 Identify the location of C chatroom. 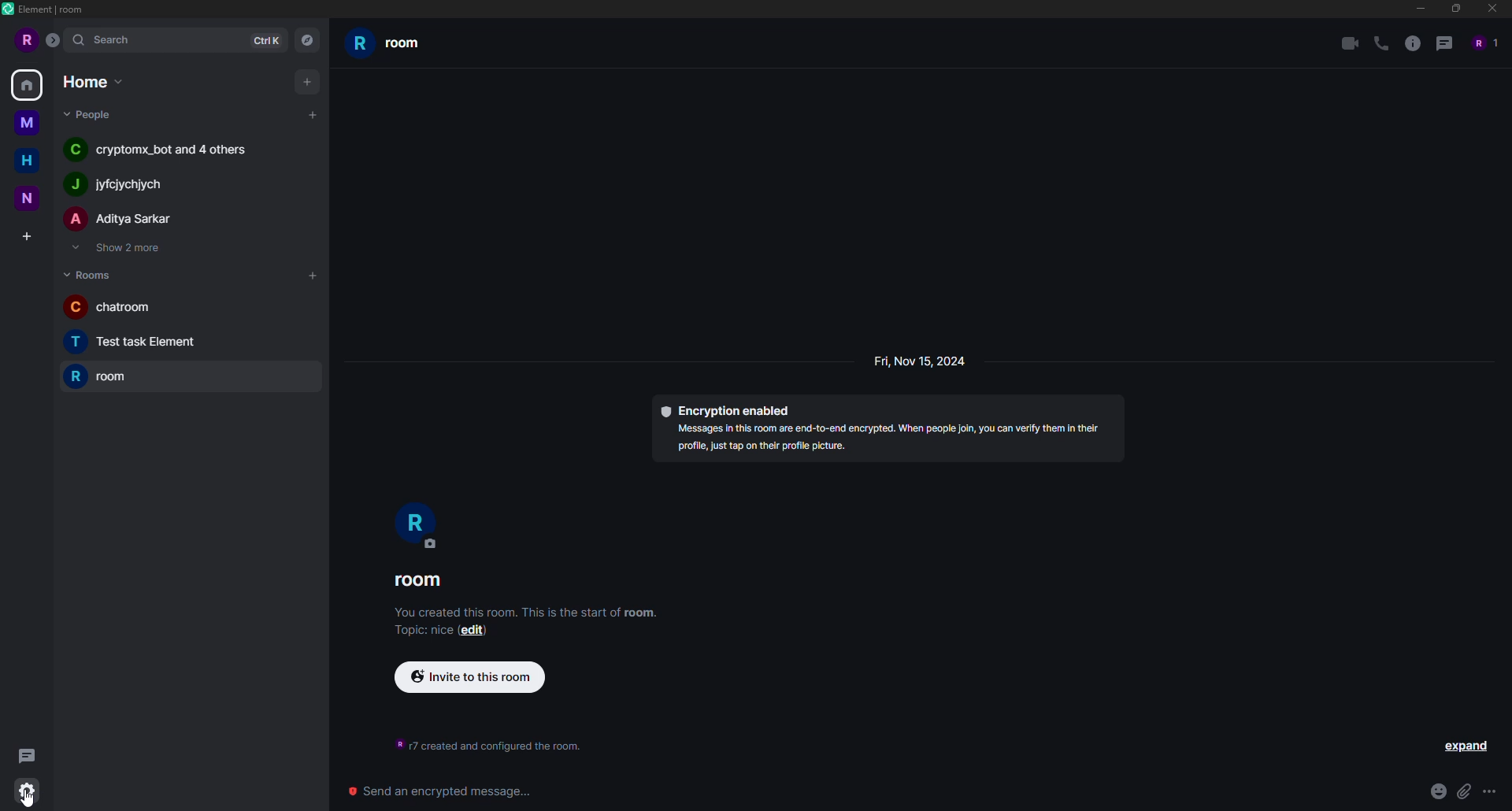
(131, 307).